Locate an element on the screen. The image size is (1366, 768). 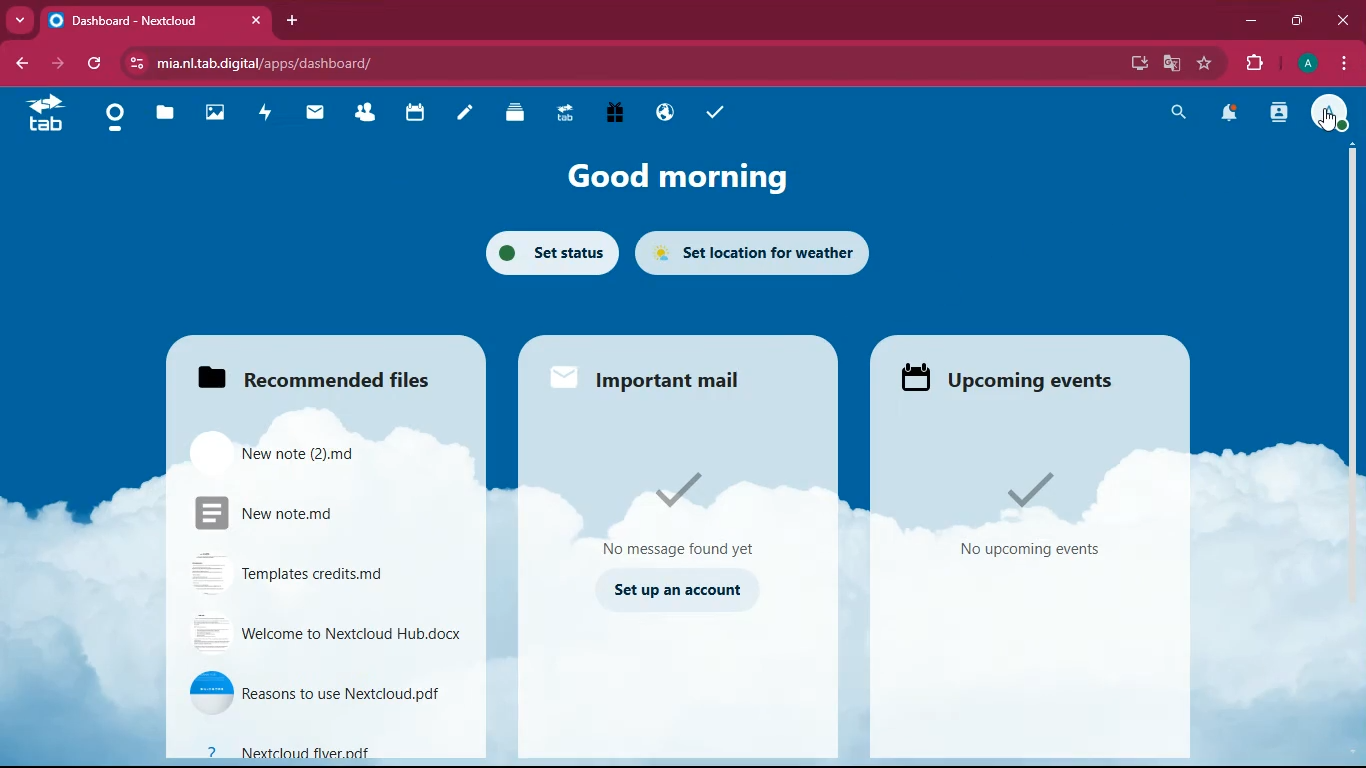
extensions is located at coordinates (1253, 62).